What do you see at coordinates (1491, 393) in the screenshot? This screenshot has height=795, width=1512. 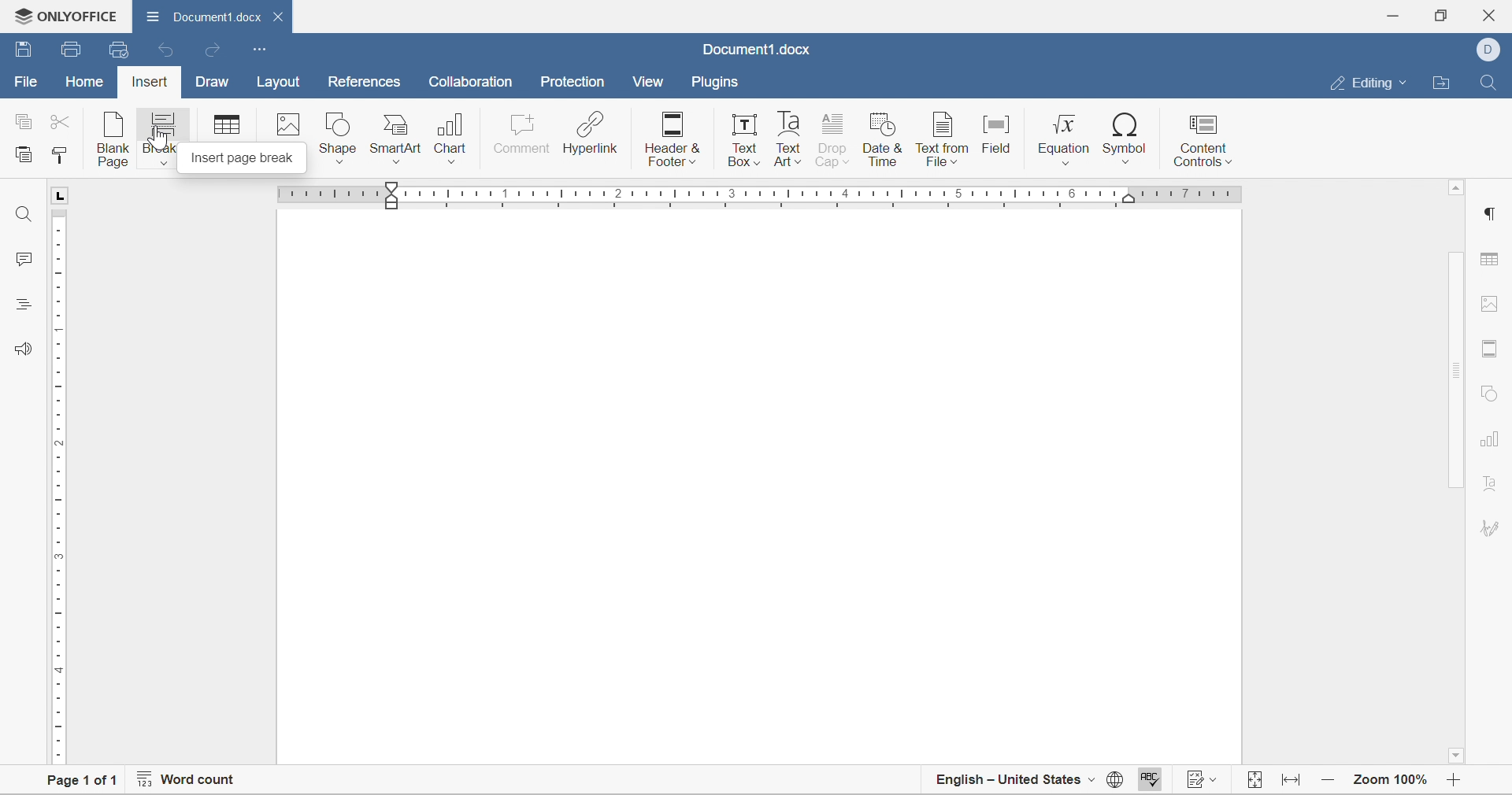 I see `Shape settings` at bounding box center [1491, 393].